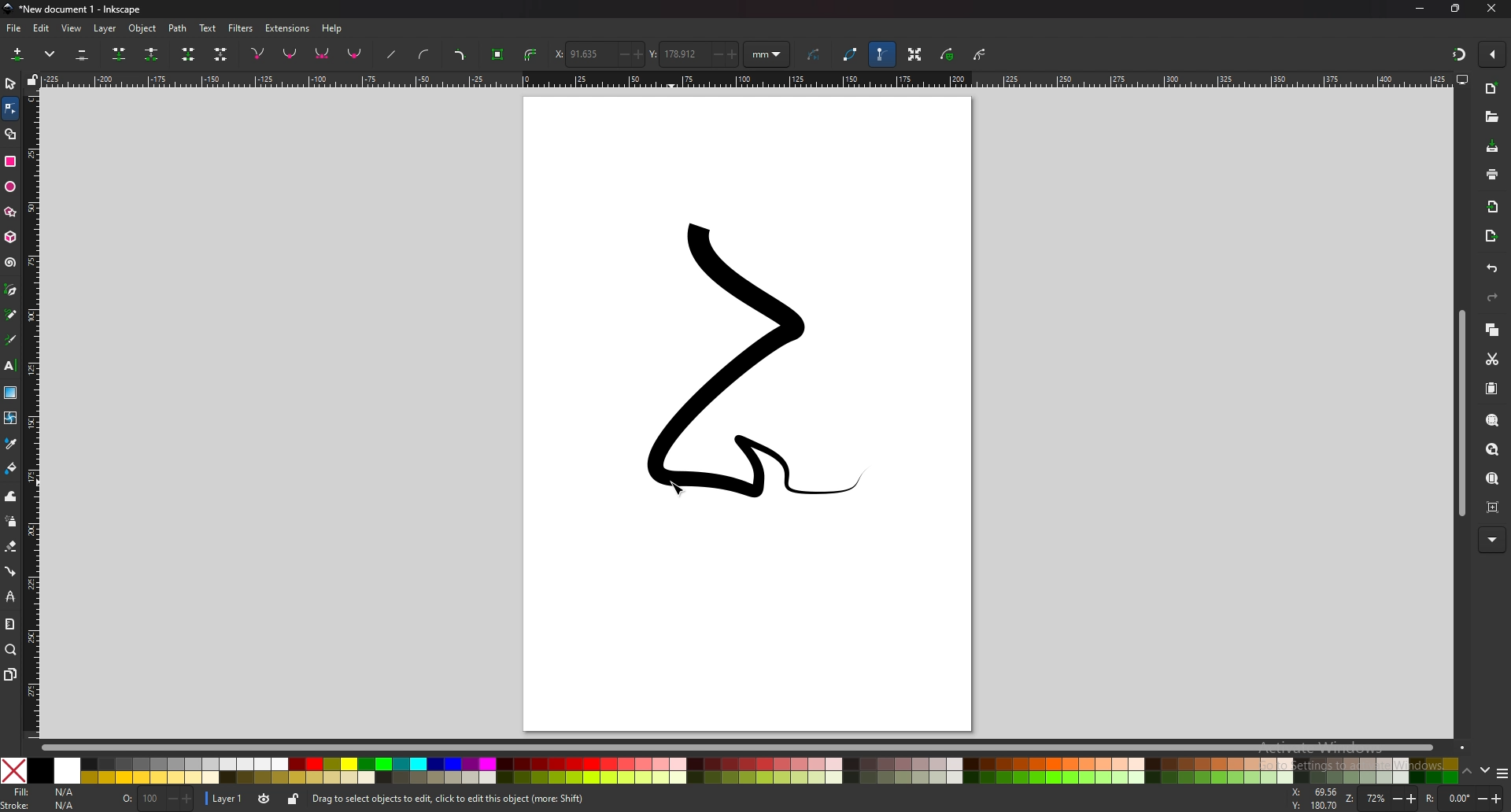  What do you see at coordinates (11, 547) in the screenshot?
I see `erase` at bounding box center [11, 547].